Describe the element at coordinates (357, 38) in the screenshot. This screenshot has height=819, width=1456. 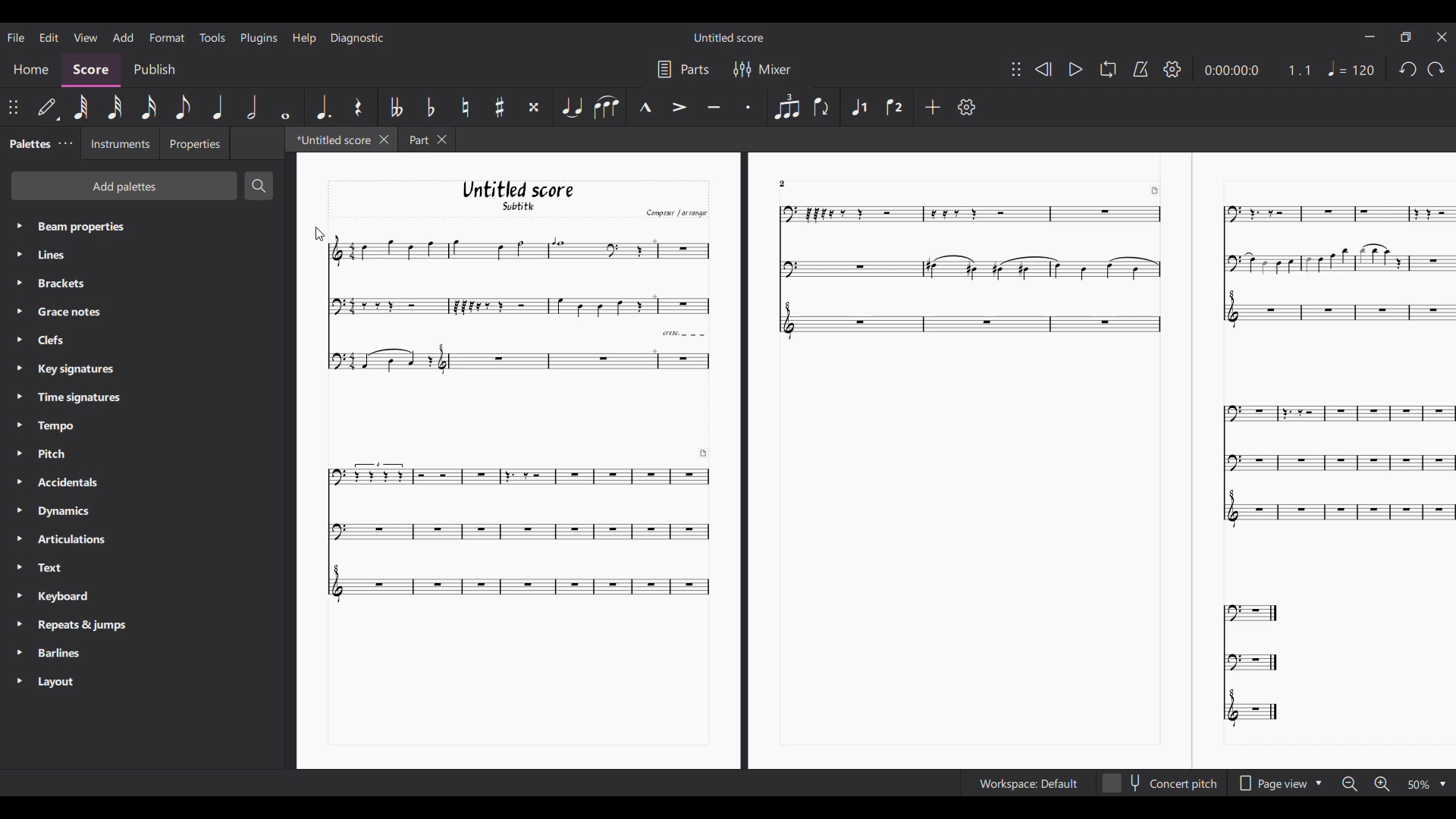
I see `Diagnostic` at that location.